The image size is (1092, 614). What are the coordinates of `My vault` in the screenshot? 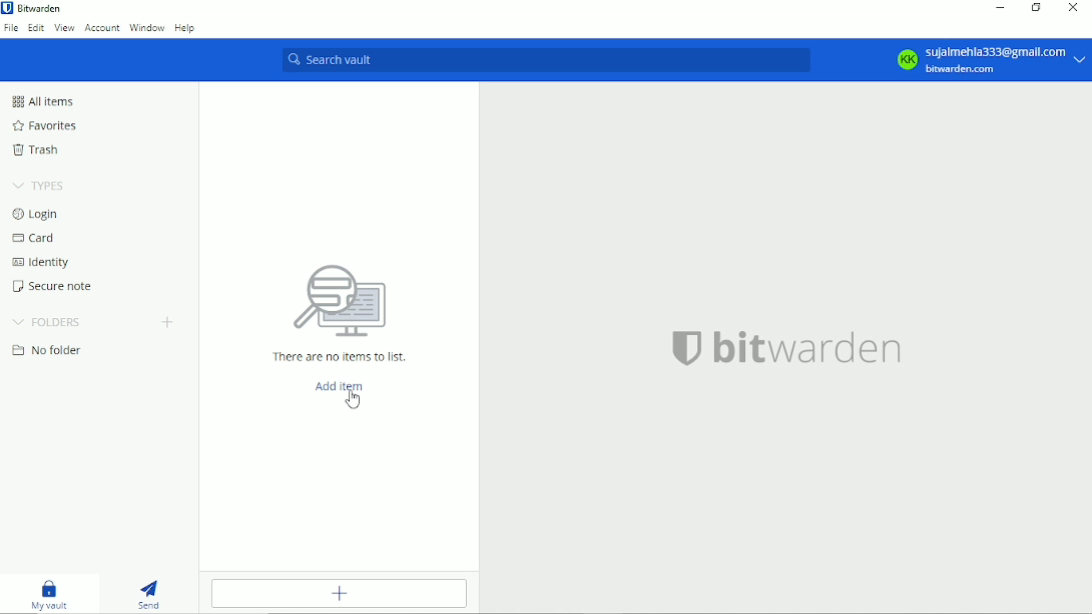 It's located at (49, 593).